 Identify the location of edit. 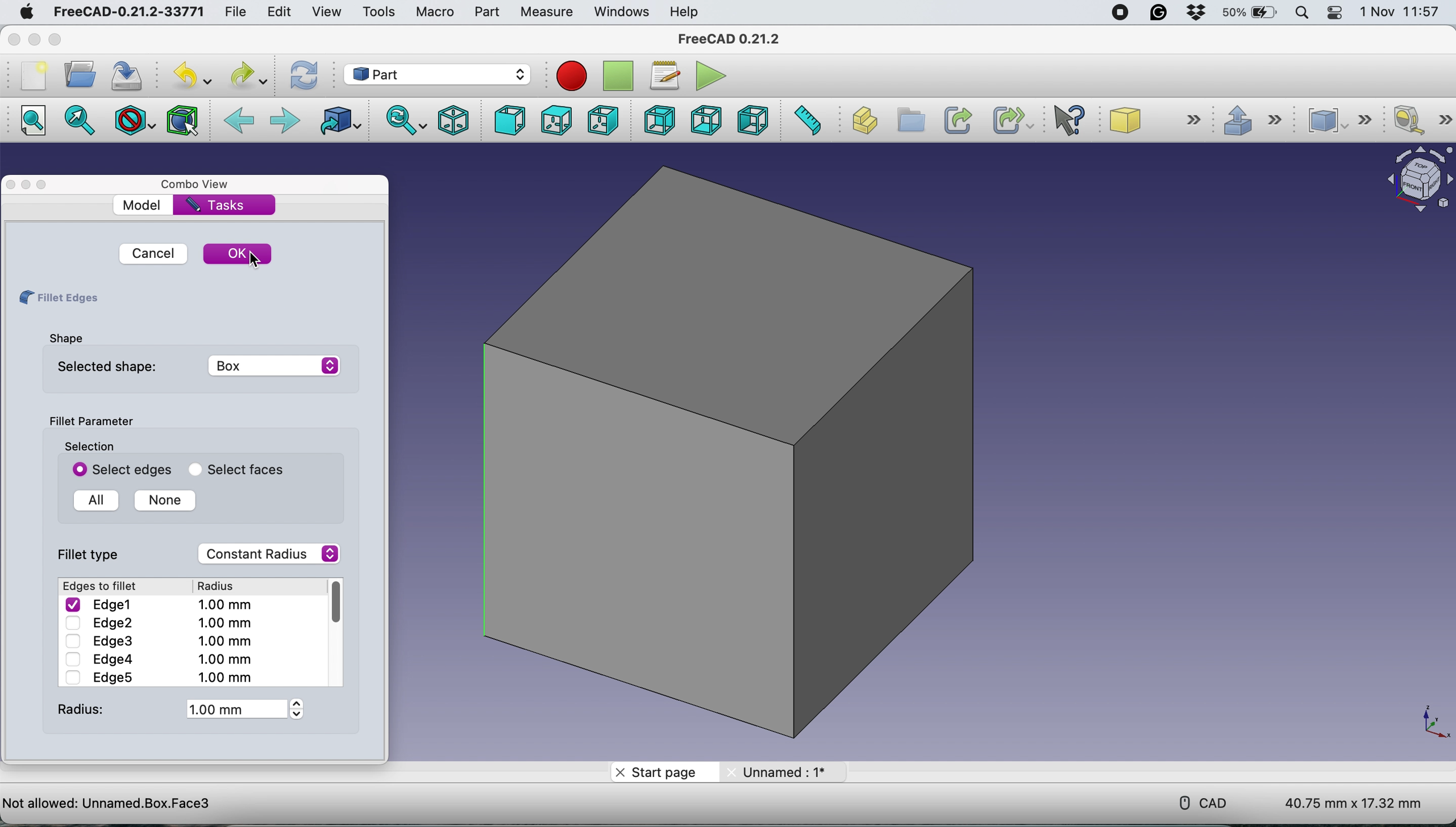
(278, 12).